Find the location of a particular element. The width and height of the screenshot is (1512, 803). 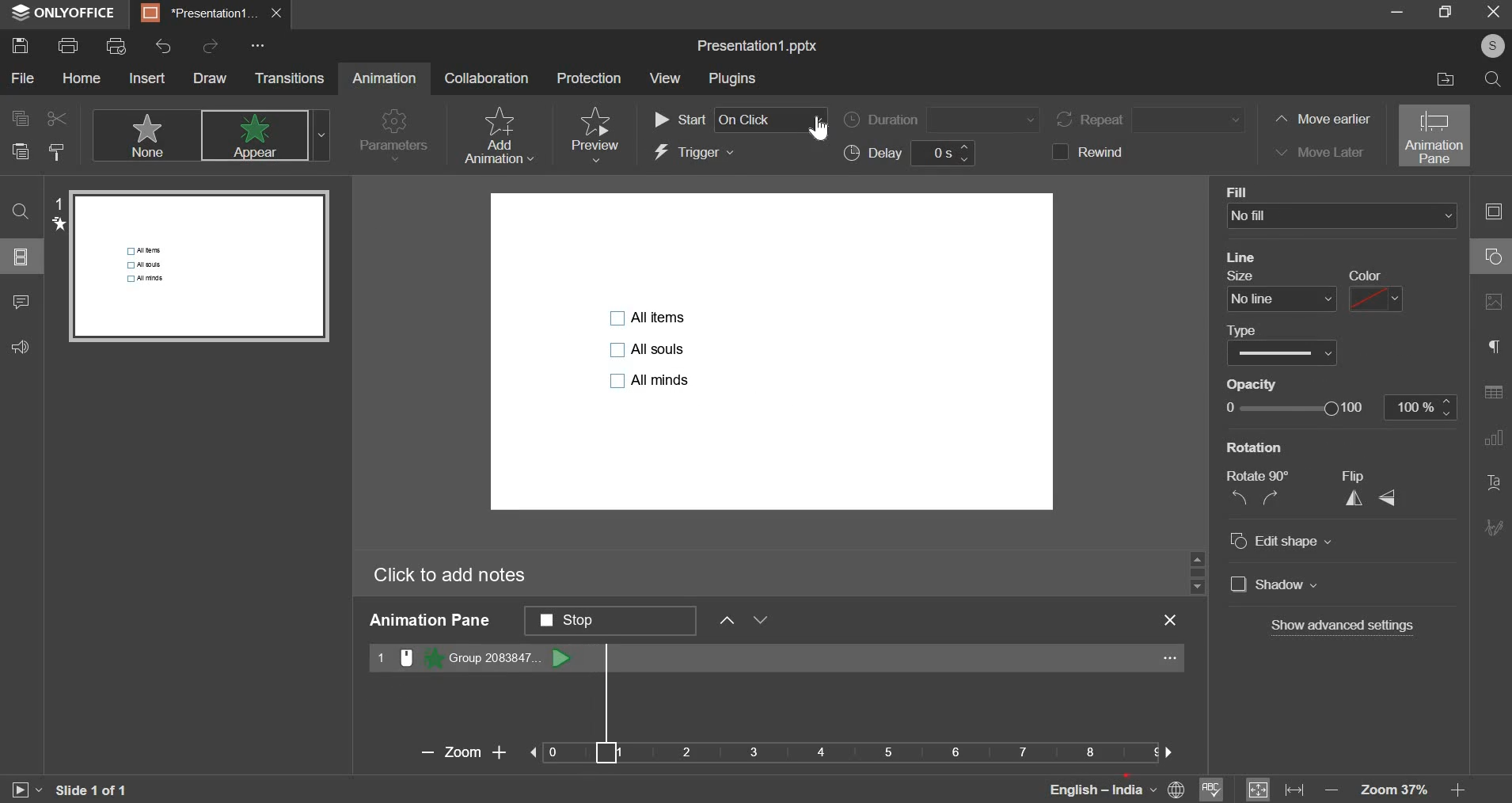

protection is located at coordinates (587, 78).